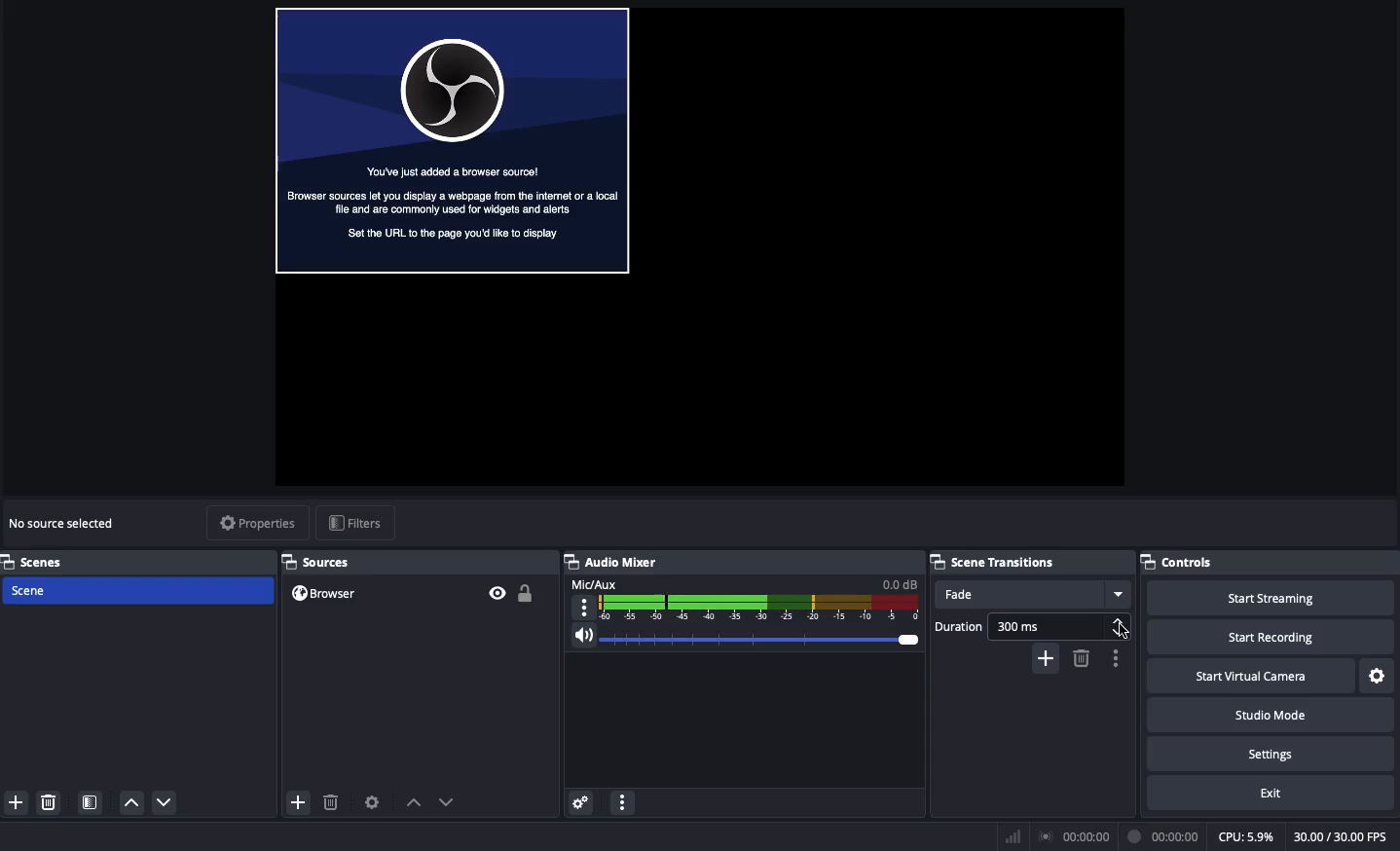 Image resolution: width=1400 pixels, height=851 pixels. I want to click on Browser, so click(452, 142).